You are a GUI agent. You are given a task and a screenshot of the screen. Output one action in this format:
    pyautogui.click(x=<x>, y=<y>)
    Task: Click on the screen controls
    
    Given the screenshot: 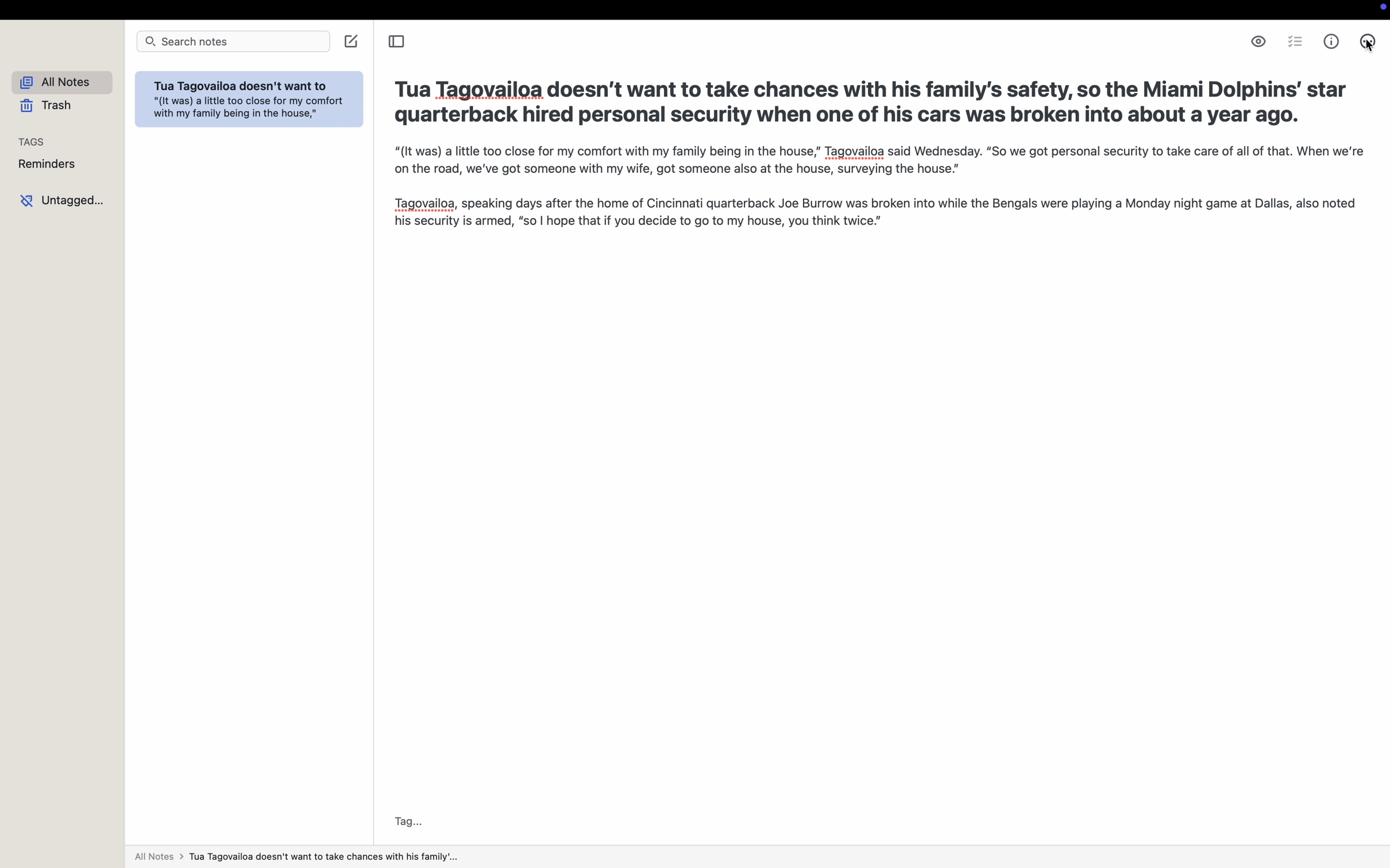 What is the action you would take?
    pyautogui.click(x=1381, y=10)
    